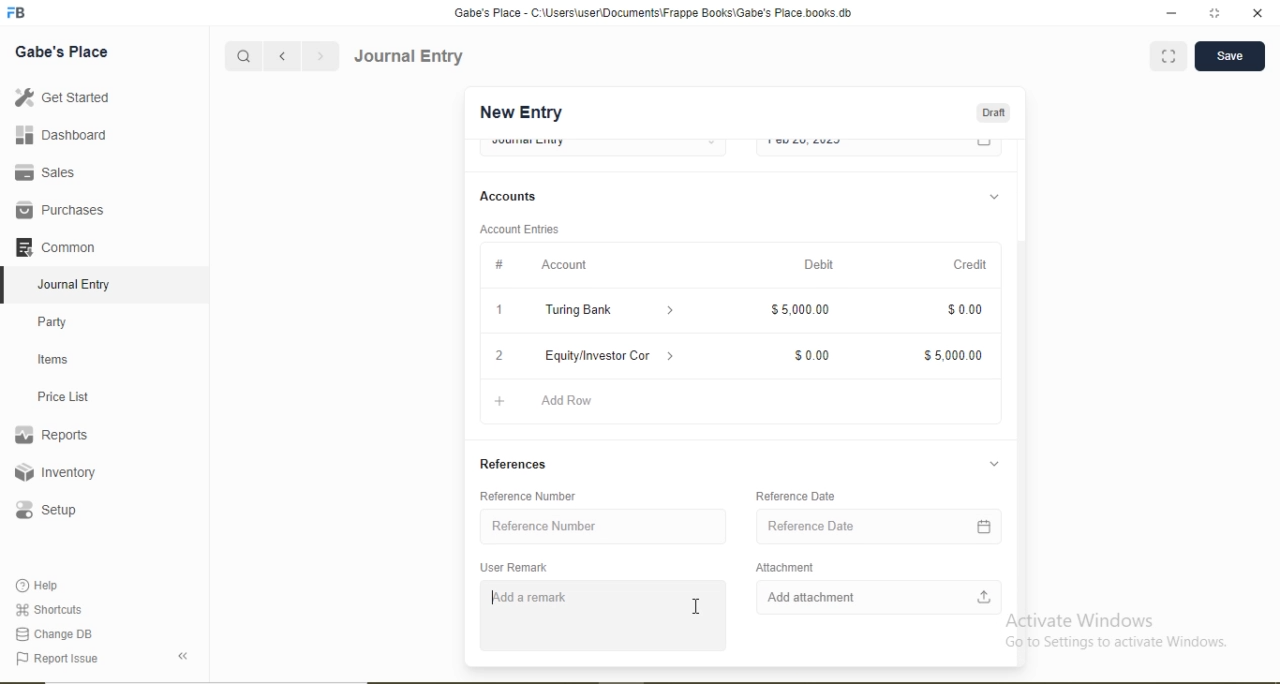 This screenshot has height=684, width=1280. Describe the element at coordinates (811, 597) in the screenshot. I see `Add attachment` at that location.